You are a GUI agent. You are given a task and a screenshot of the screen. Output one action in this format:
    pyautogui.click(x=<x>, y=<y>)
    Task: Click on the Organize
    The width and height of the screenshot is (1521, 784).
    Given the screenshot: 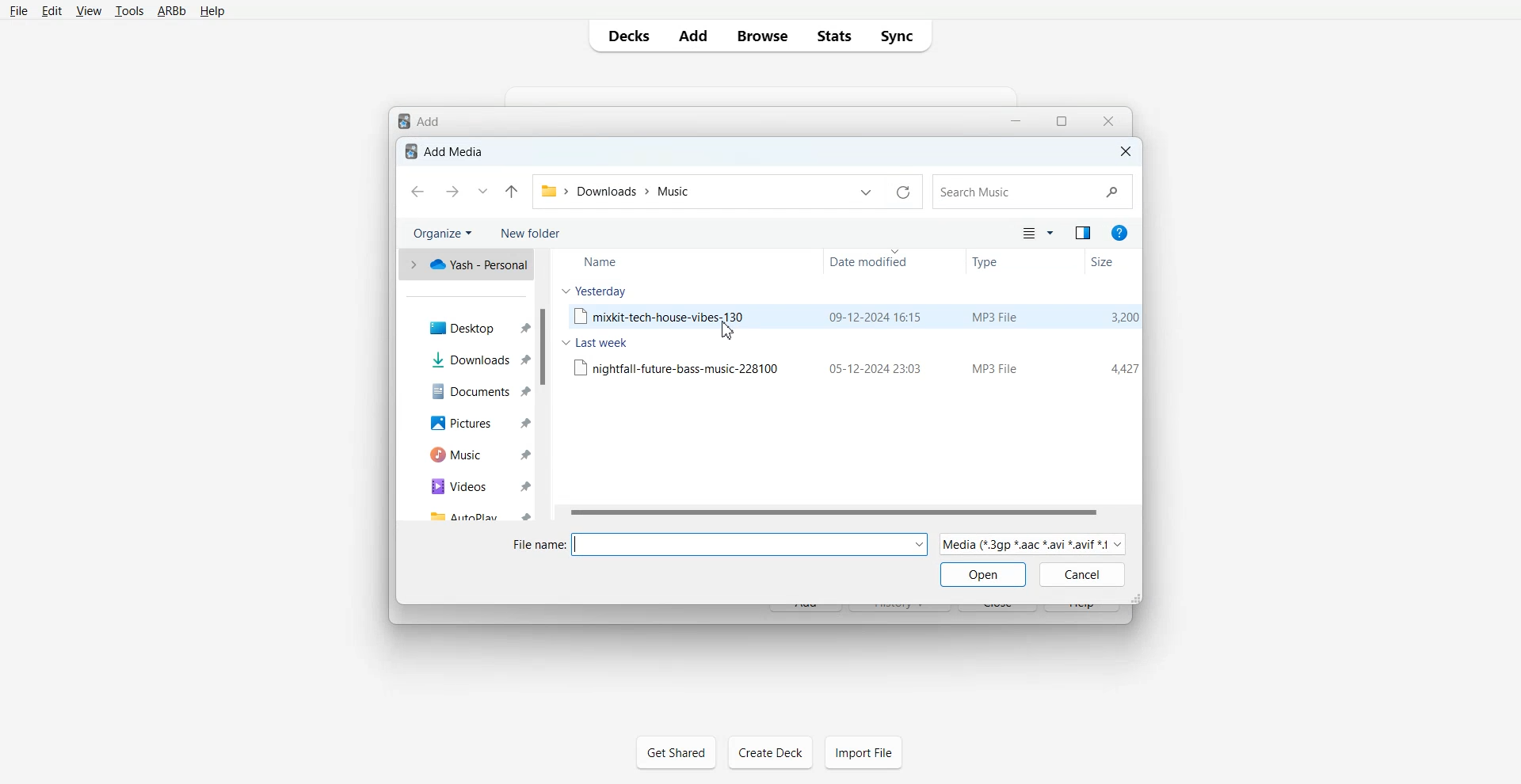 What is the action you would take?
    pyautogui.click(x=444, y=231)
    